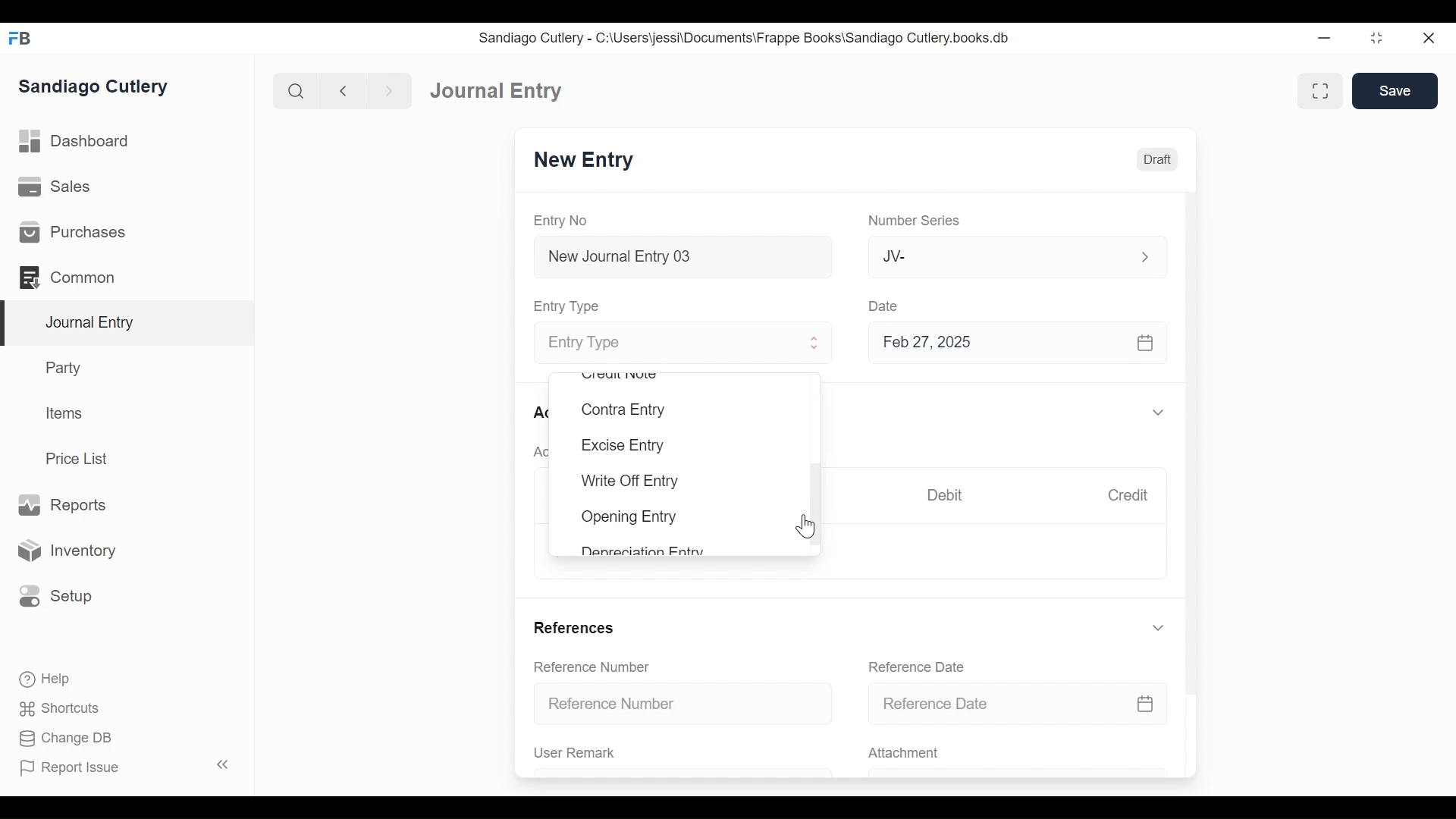 The width and height of the screenshot is (1456, 819). What do you see at coordinates (1326, 37) in the screenshot?
I see `Minimize` at bounding box center [1326, 37].